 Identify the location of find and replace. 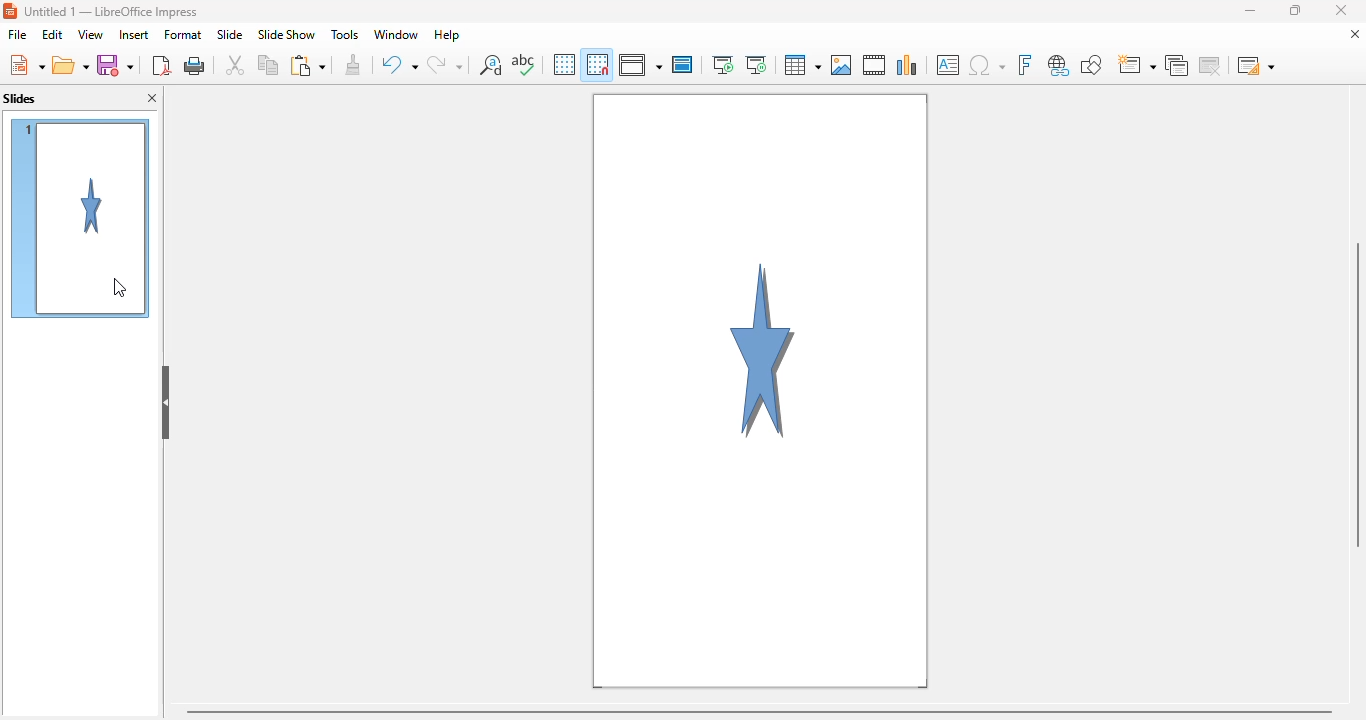
(491, 65).